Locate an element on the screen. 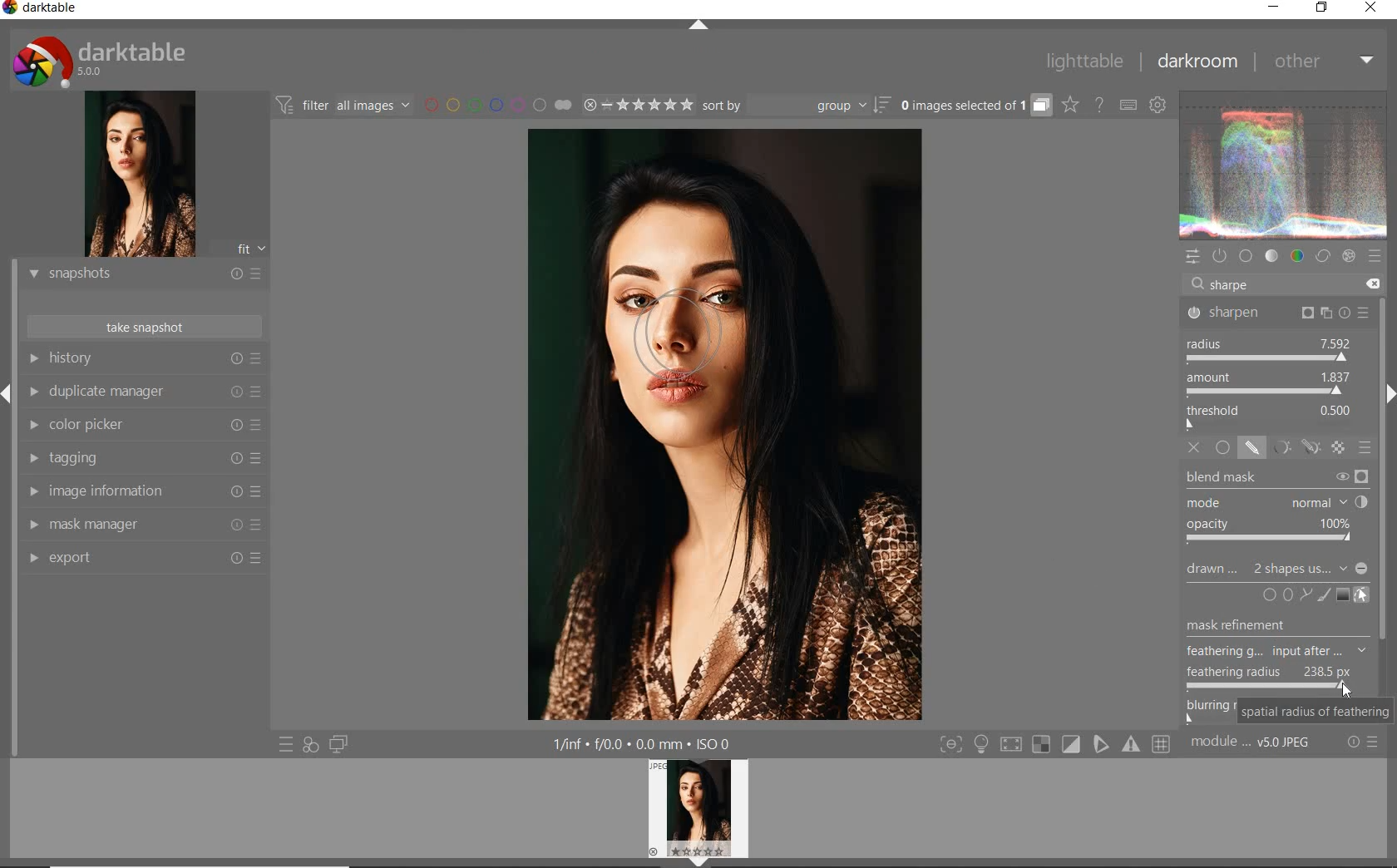 Image resolution: width=1397 pixels, height=868 pixels. show only active modules is located at coordinates (1220, 257).